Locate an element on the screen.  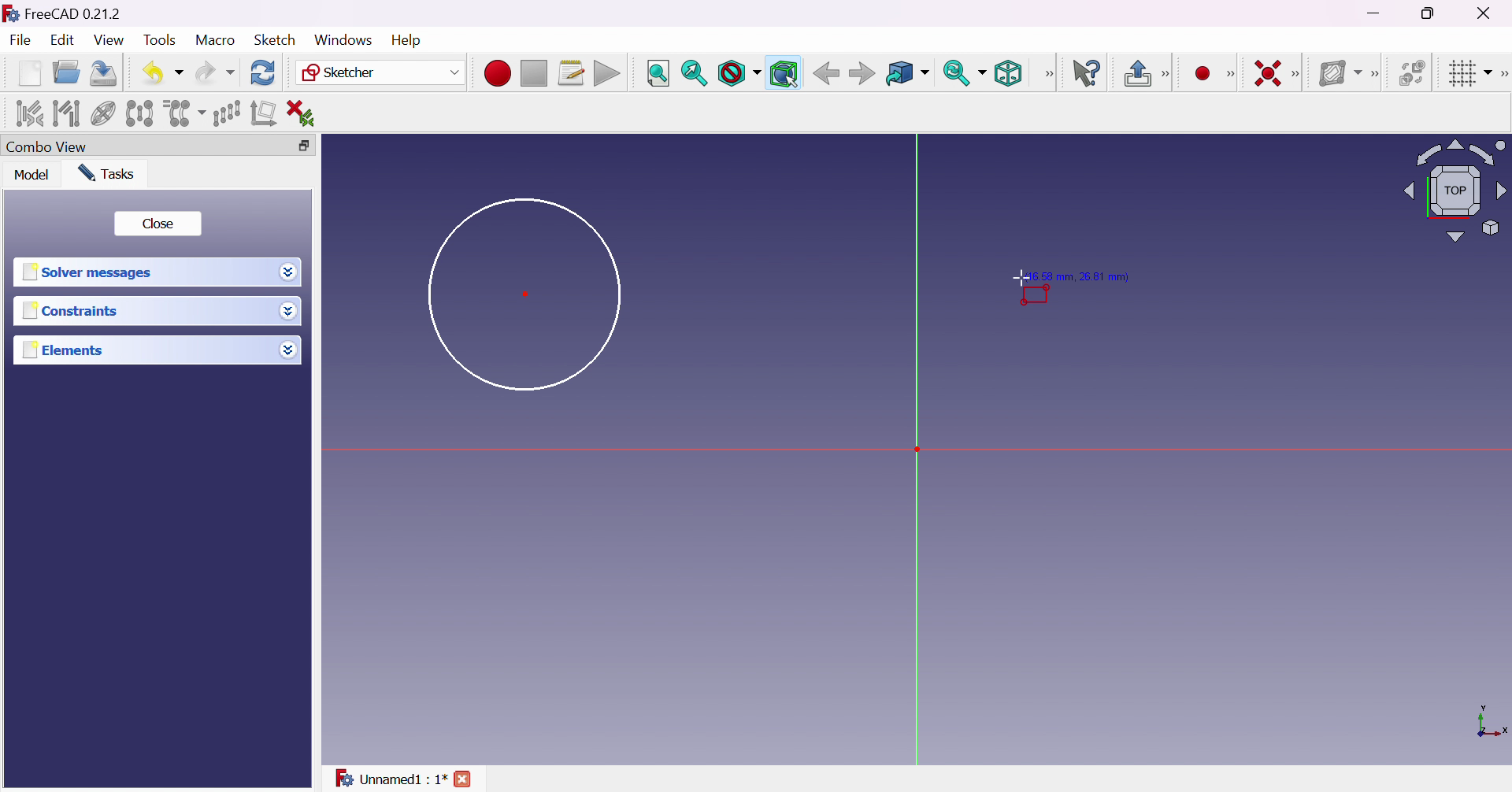
Open... is located at coordinates (65, 73).